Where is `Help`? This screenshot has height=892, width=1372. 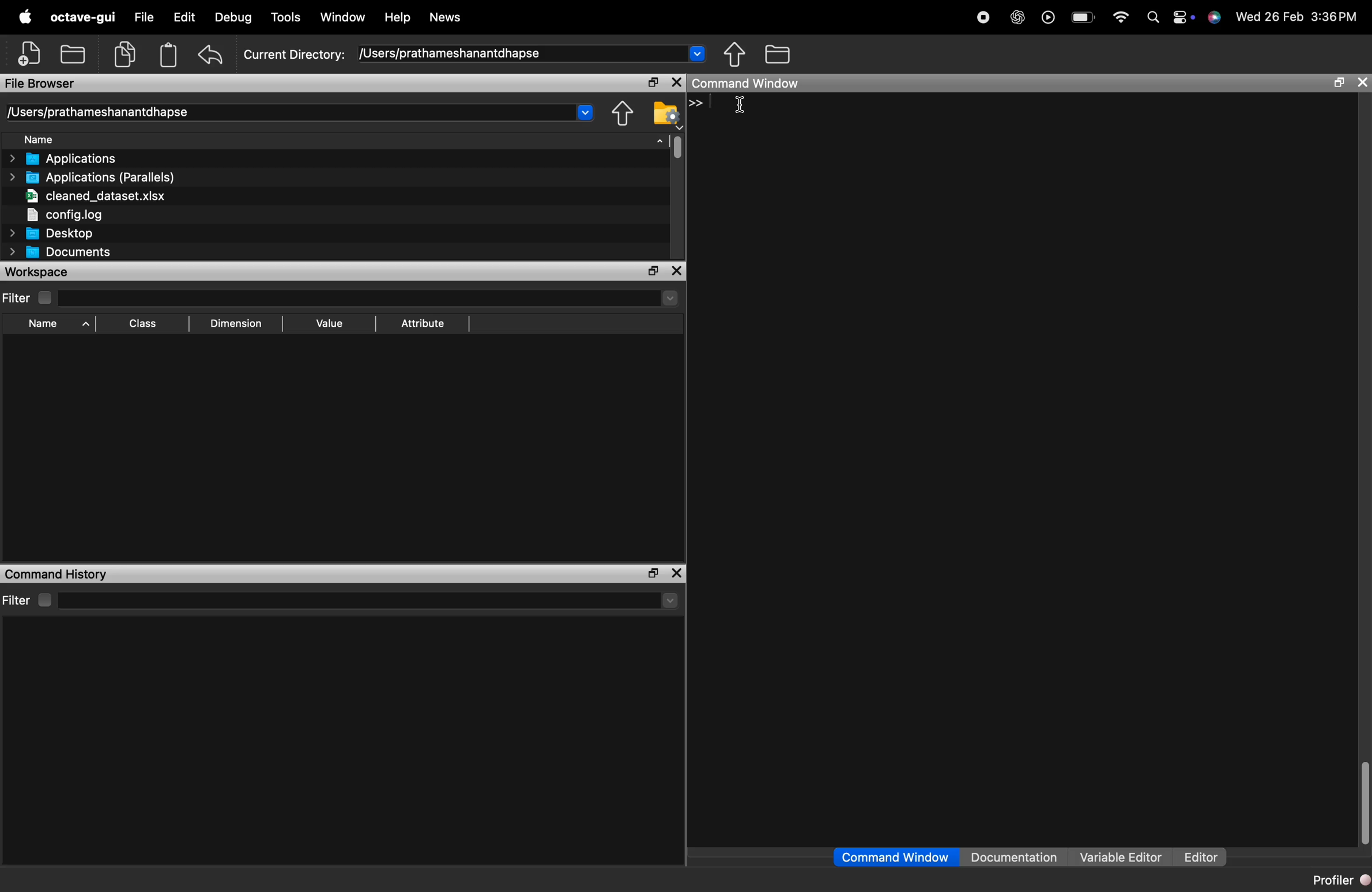 Help is located at coordinates (398, 17).